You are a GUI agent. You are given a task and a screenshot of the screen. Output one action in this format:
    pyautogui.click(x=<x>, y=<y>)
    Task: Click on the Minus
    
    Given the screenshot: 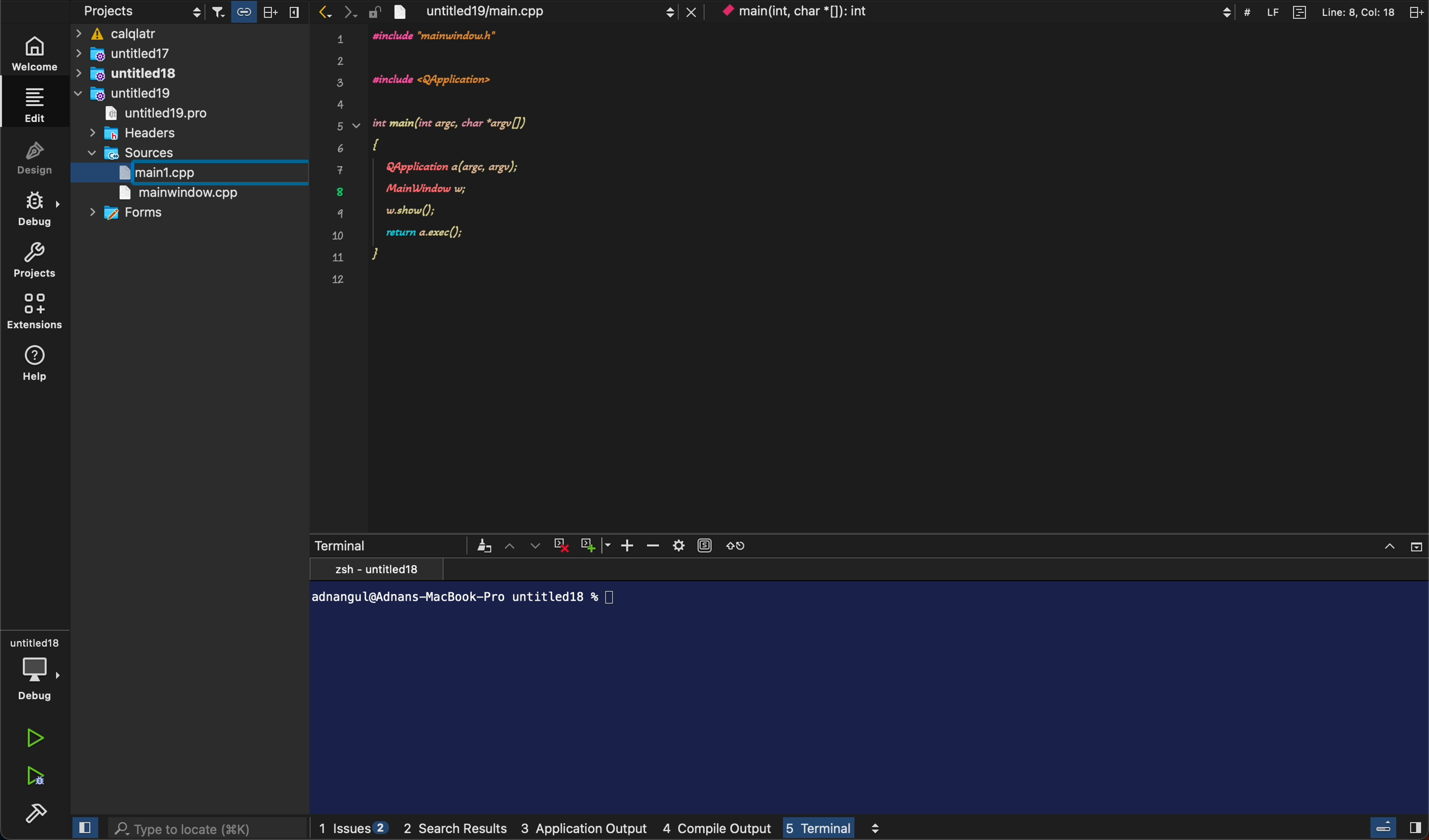 What is the action you would take?
    pyautogui.click(x=653, y=545)
    